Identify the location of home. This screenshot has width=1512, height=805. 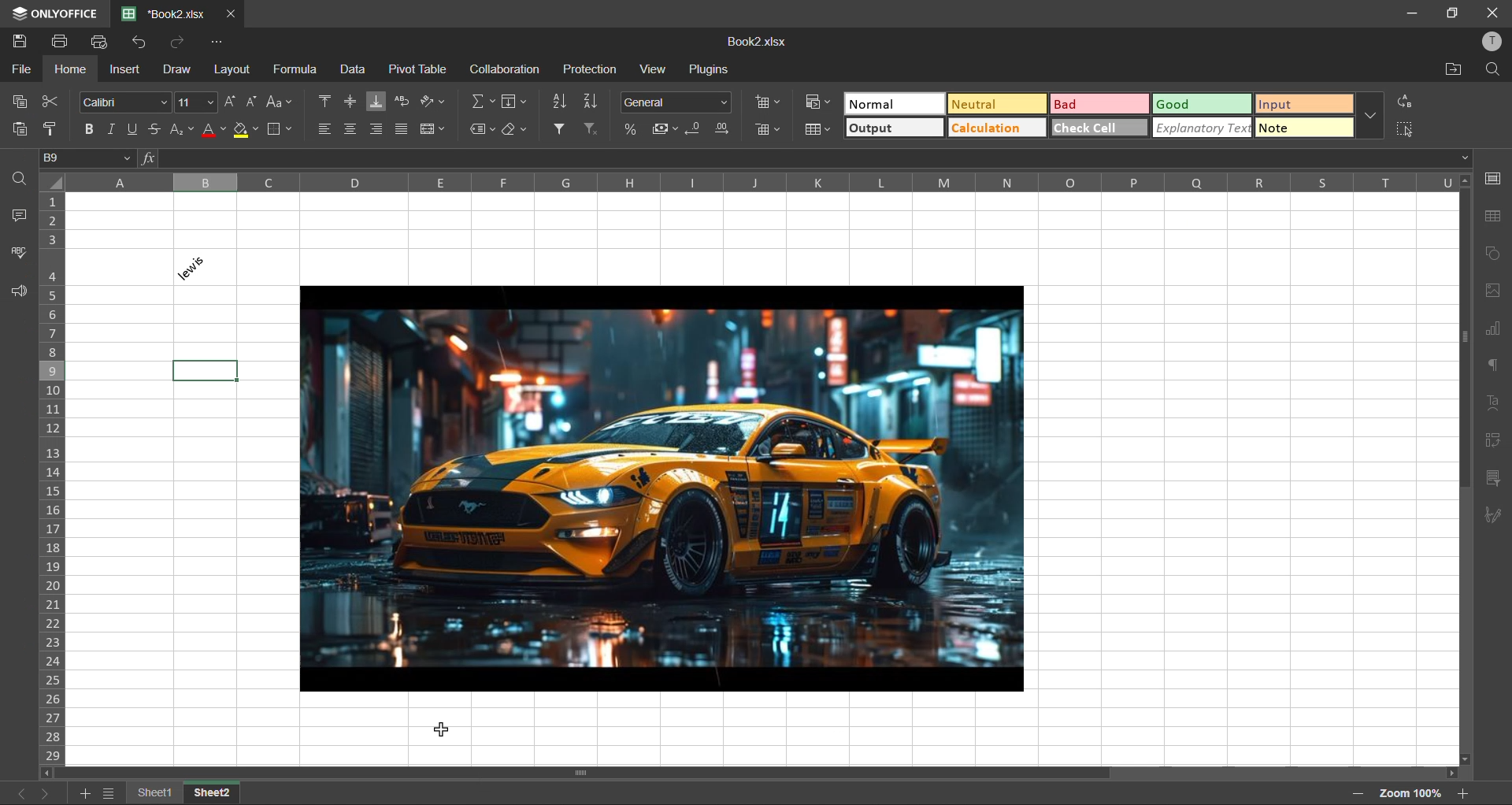
(69, 69).